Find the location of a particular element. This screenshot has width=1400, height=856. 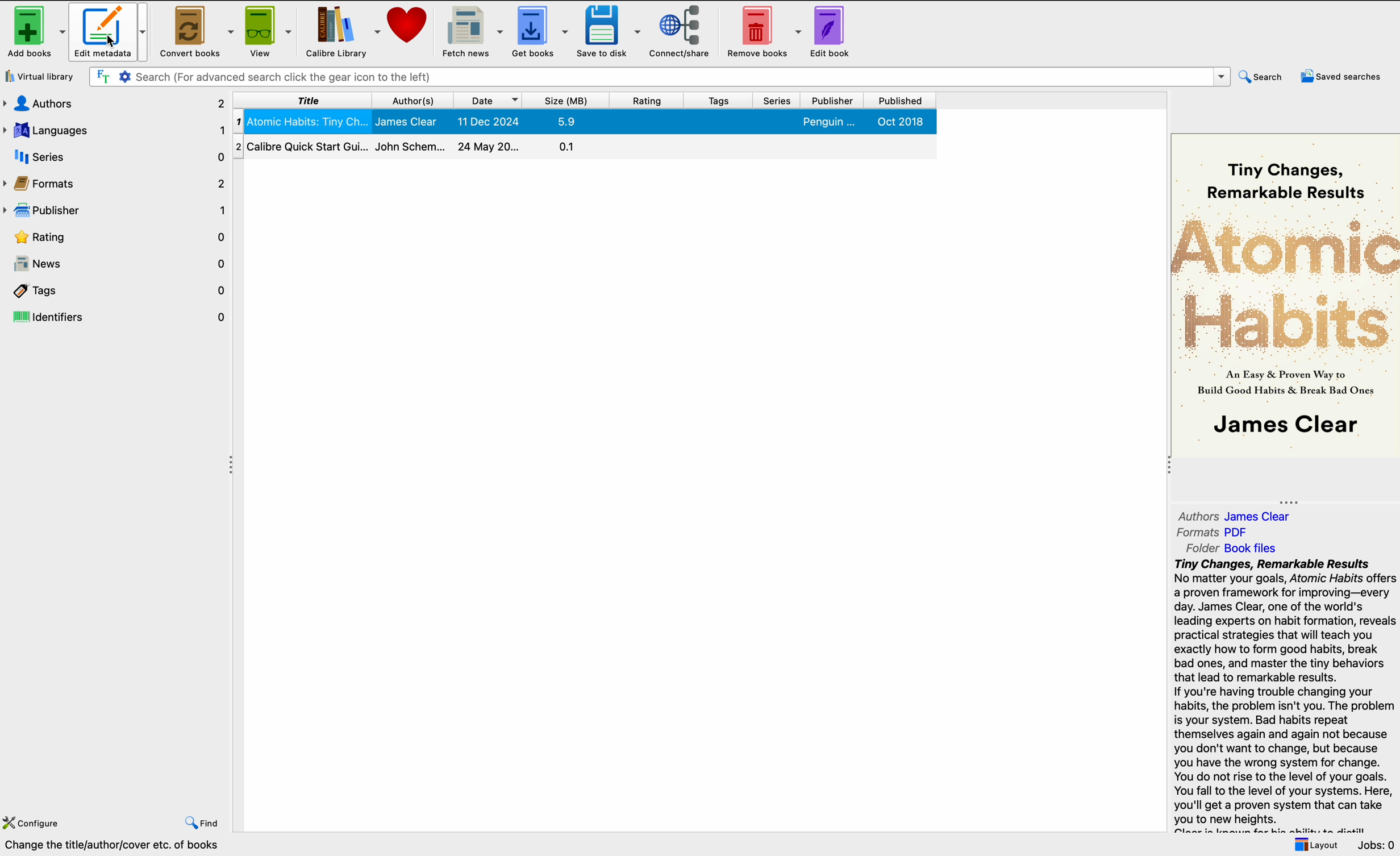

summary book is located at coordinates (1285, 695).